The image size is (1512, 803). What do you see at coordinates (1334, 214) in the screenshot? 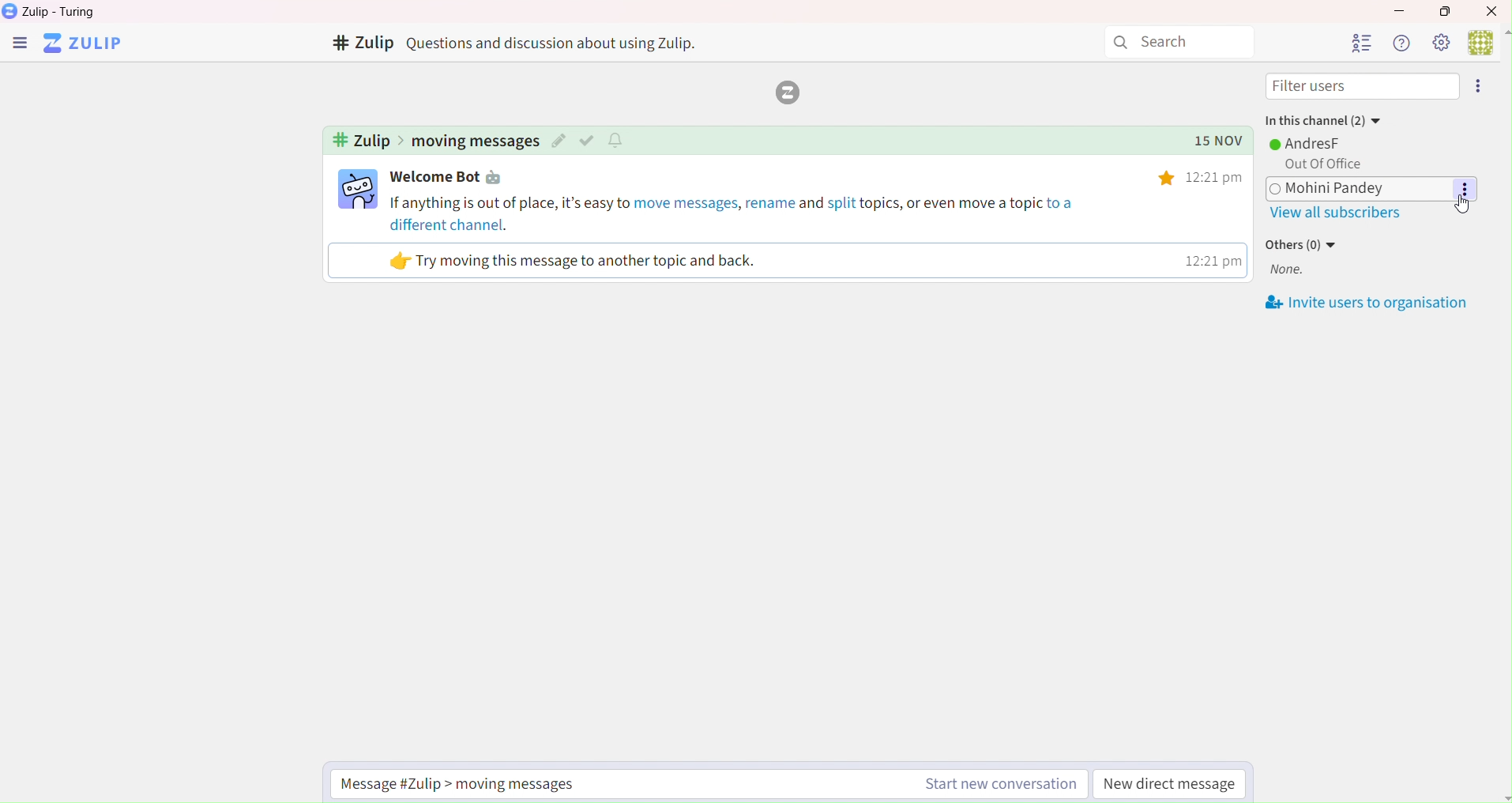
I see `View All subscribers` at bounding box center [1334, 214].